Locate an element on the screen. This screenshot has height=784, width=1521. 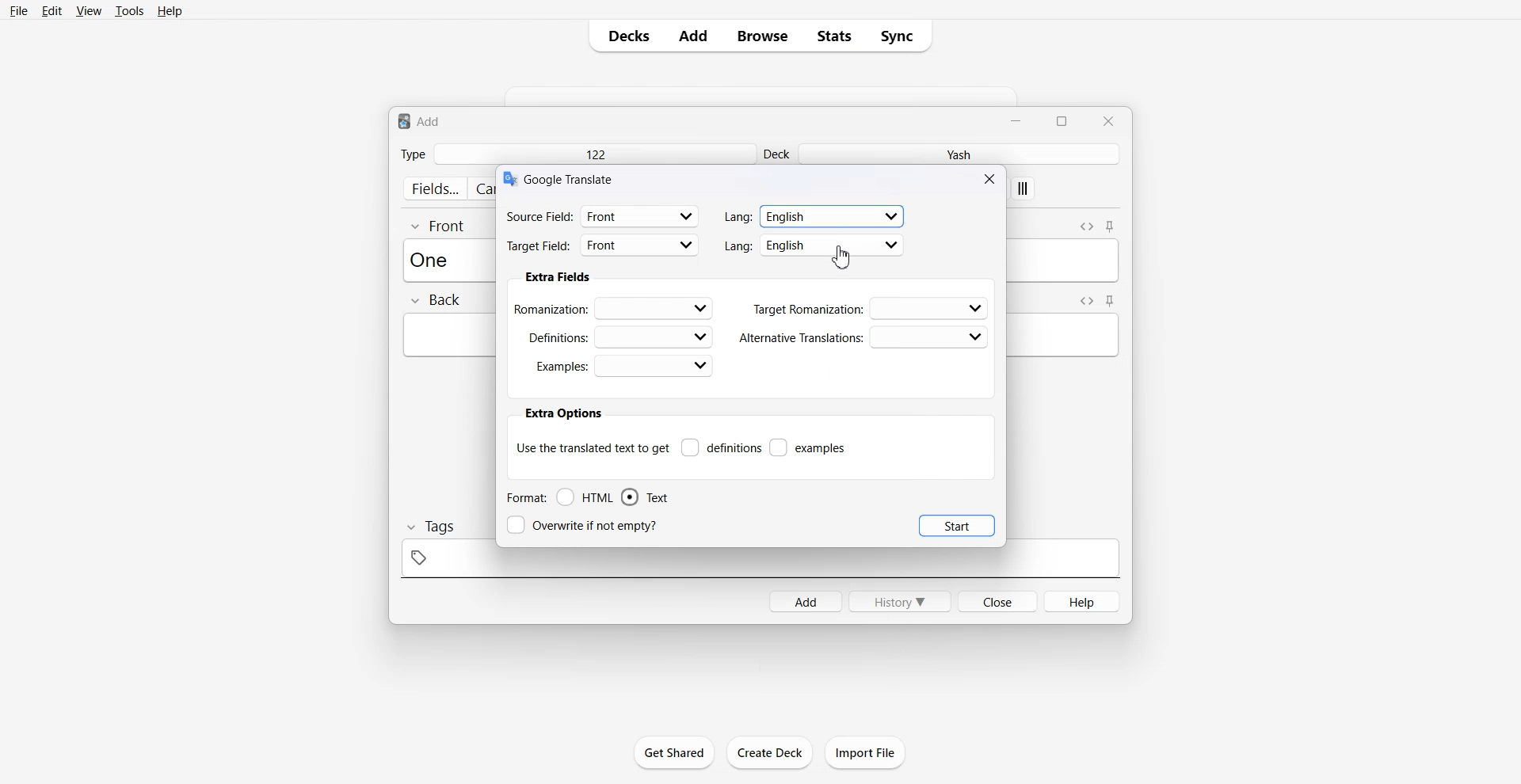
Overwrite if not empty is located at coordinates (585, 525).